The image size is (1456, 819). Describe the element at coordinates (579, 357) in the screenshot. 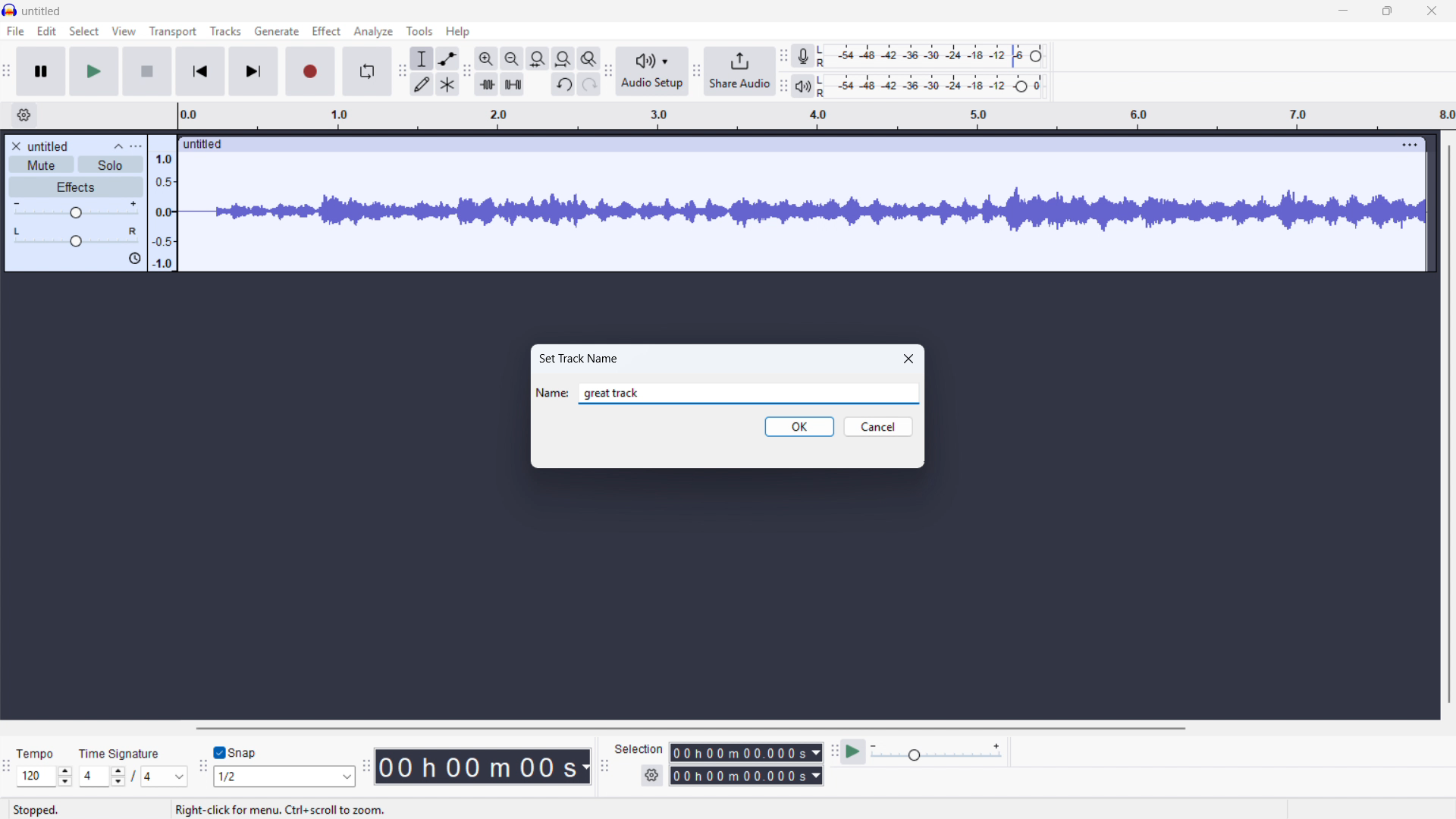

I see ` Set track name ` at that location.